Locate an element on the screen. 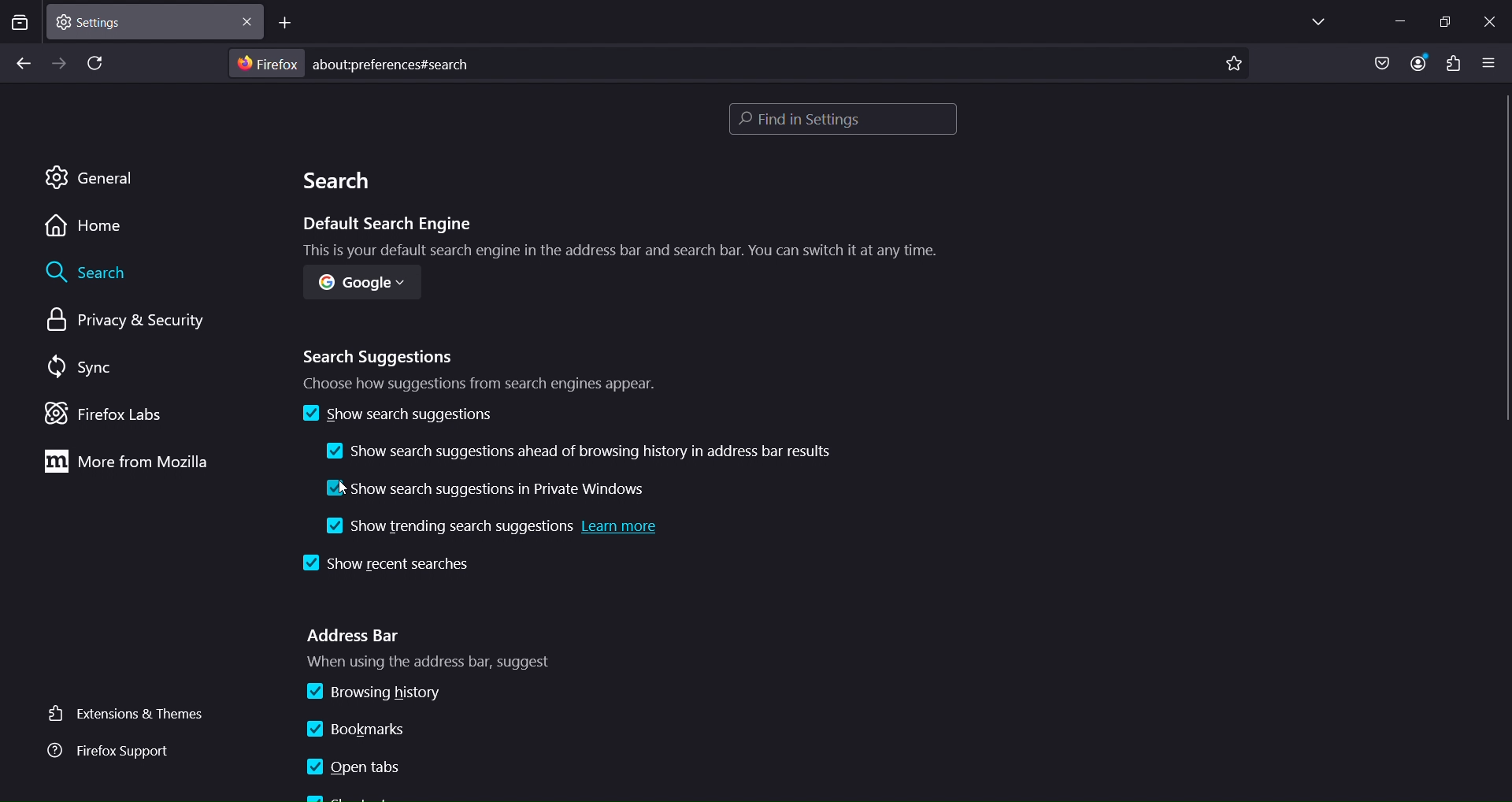 Image resolution: width=1512 pixels, height=802 pixels. home is located at coordinates (90, 227).